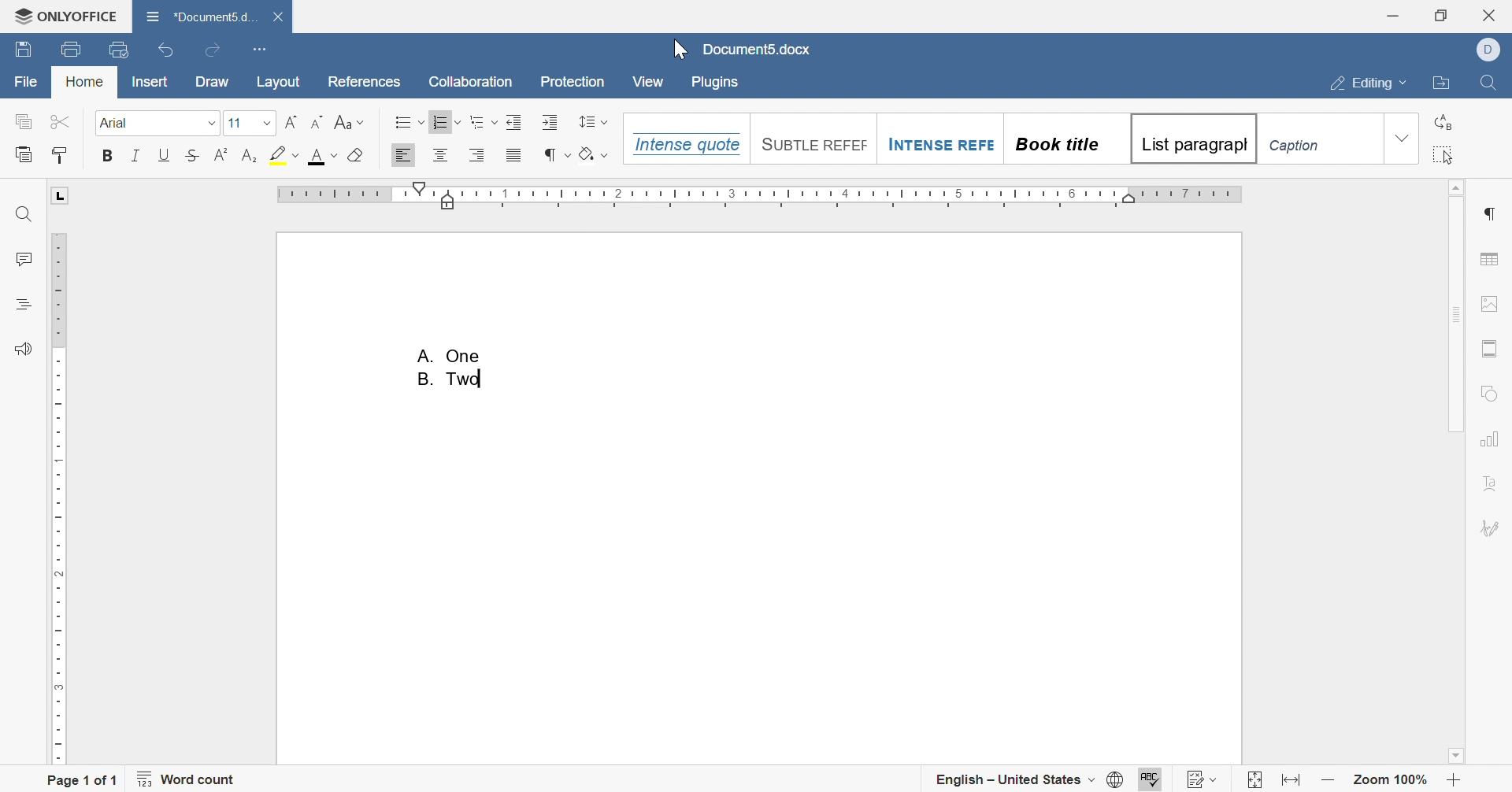 This screenshot has width=1512, height=792. I want to click on numbering, so click(447, 123).